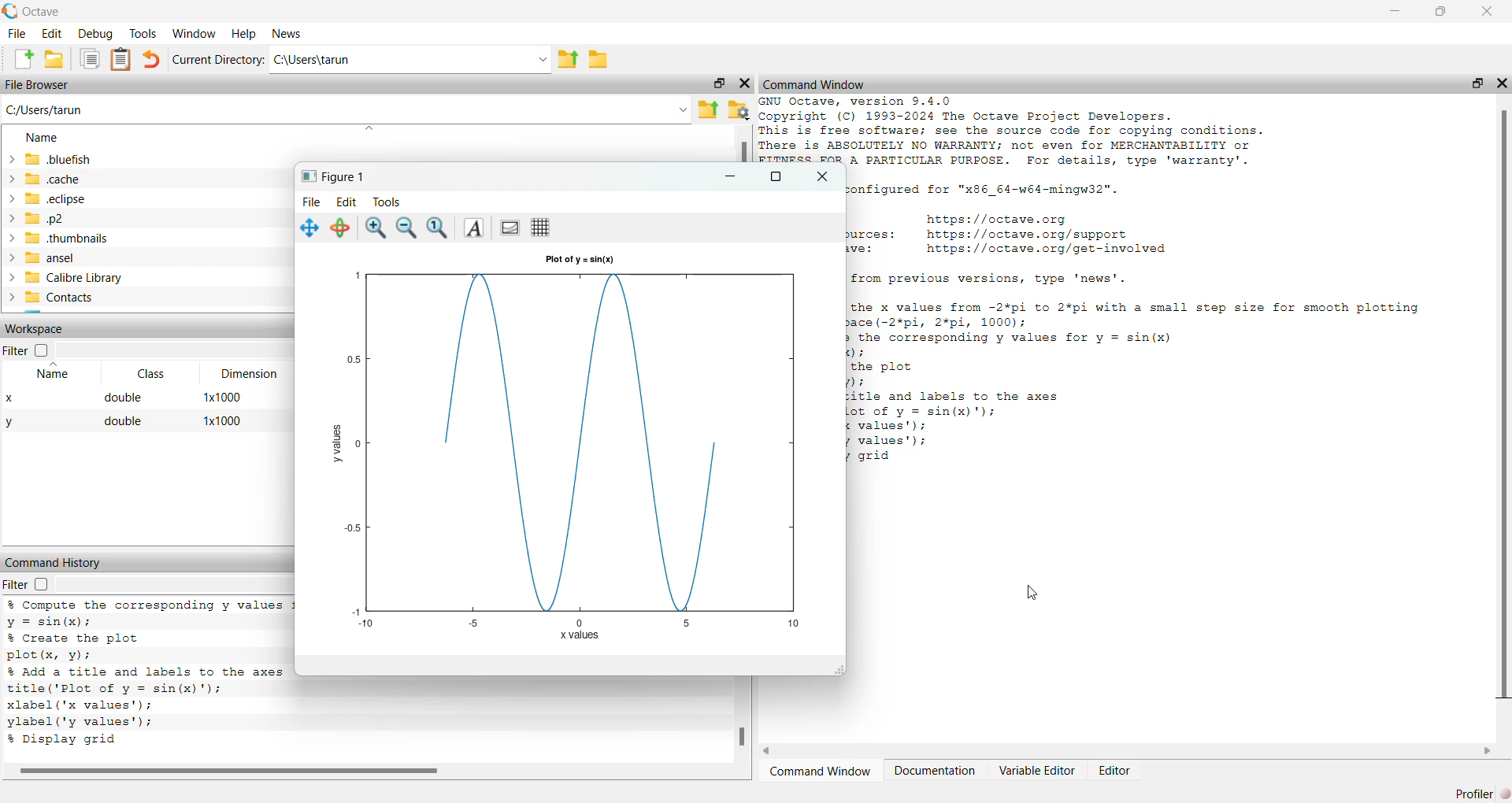 The height and width of the screenshot is (803, 1512). Describe the element at coordinates (474, 228) in the screenshot. I see `font` at that location.